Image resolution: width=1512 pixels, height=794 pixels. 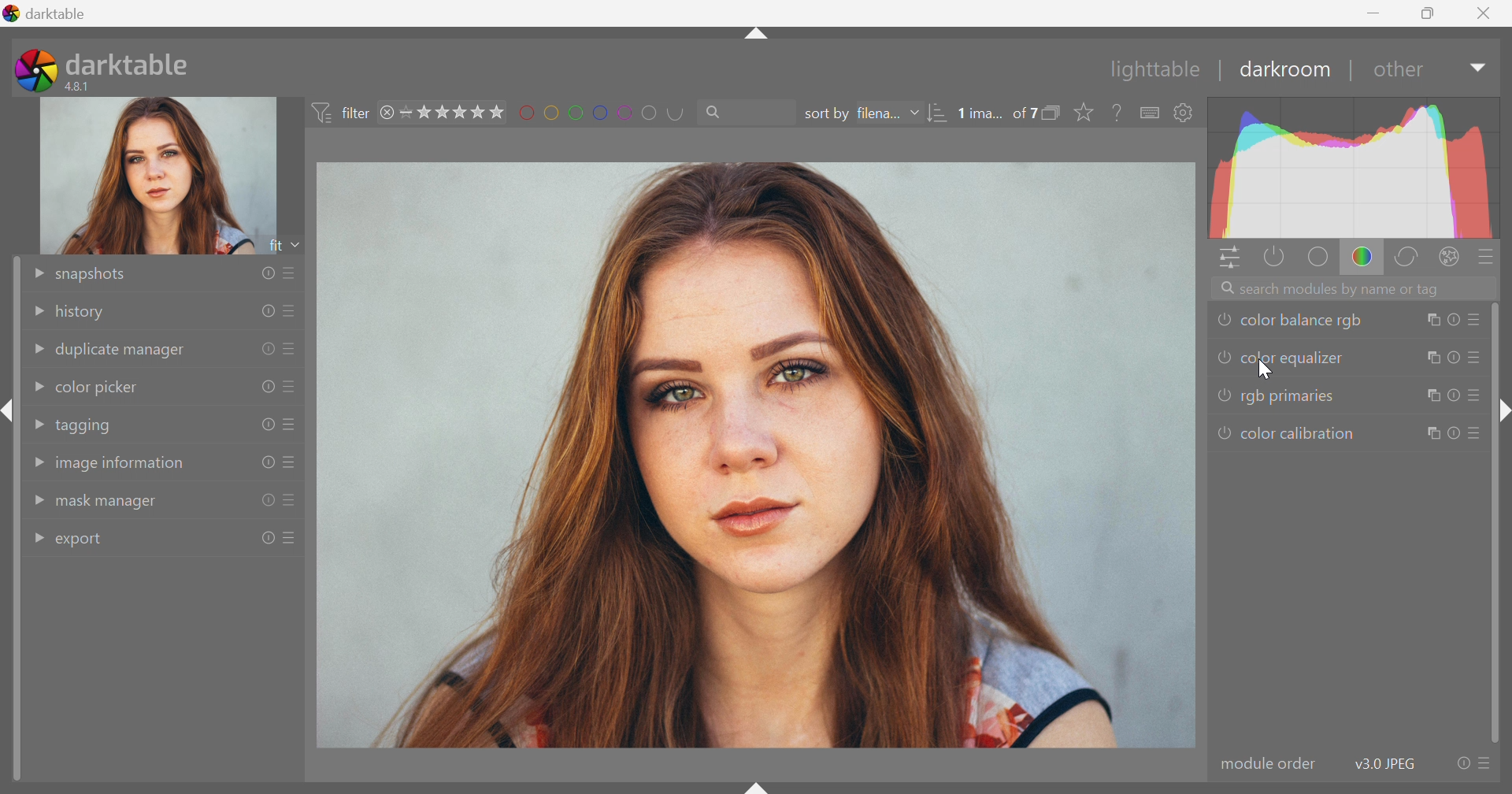 I want to click on Drop Down, so click(x=36, y=351).